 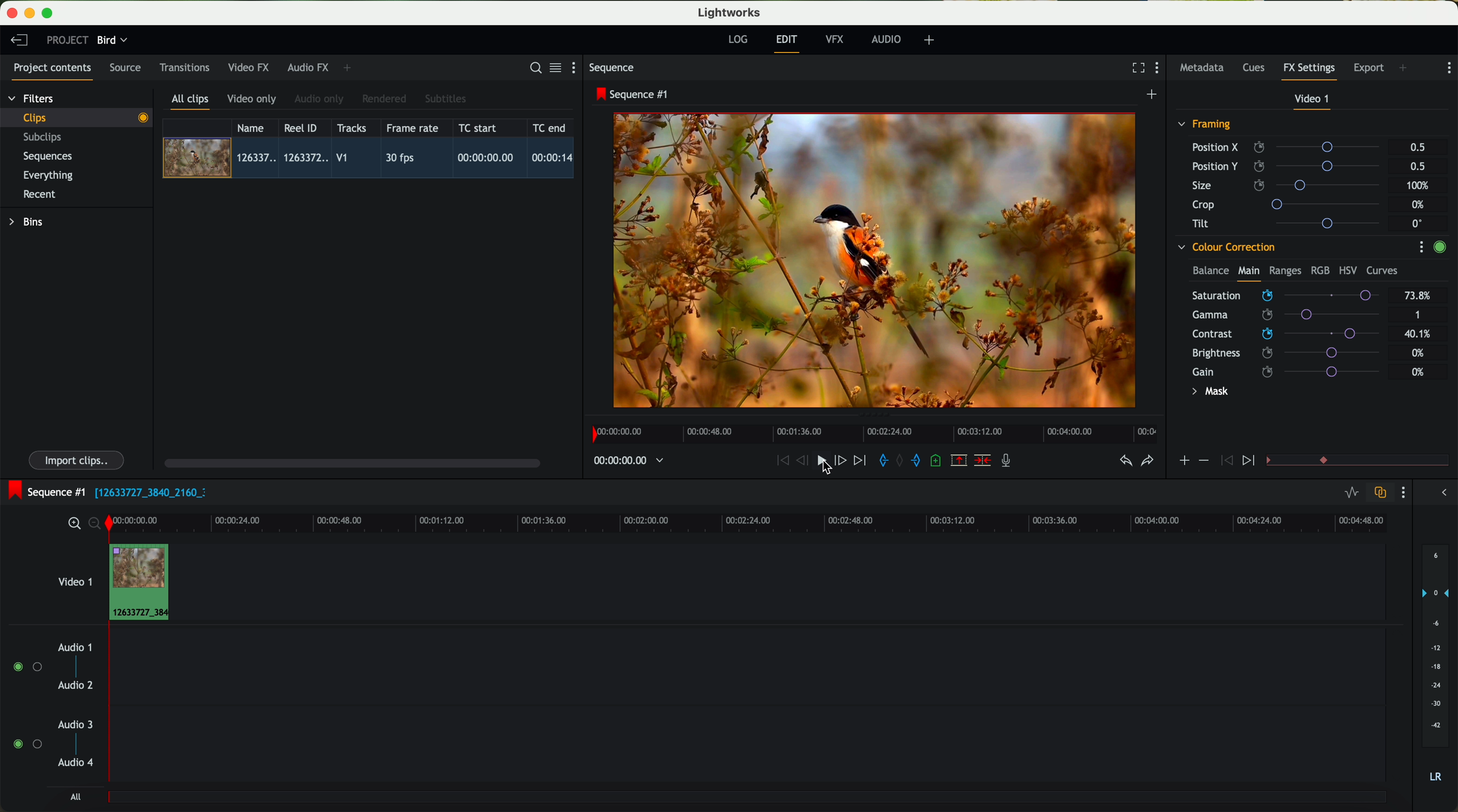 I want to click on click on contrast, so click(x=1286, y=335).